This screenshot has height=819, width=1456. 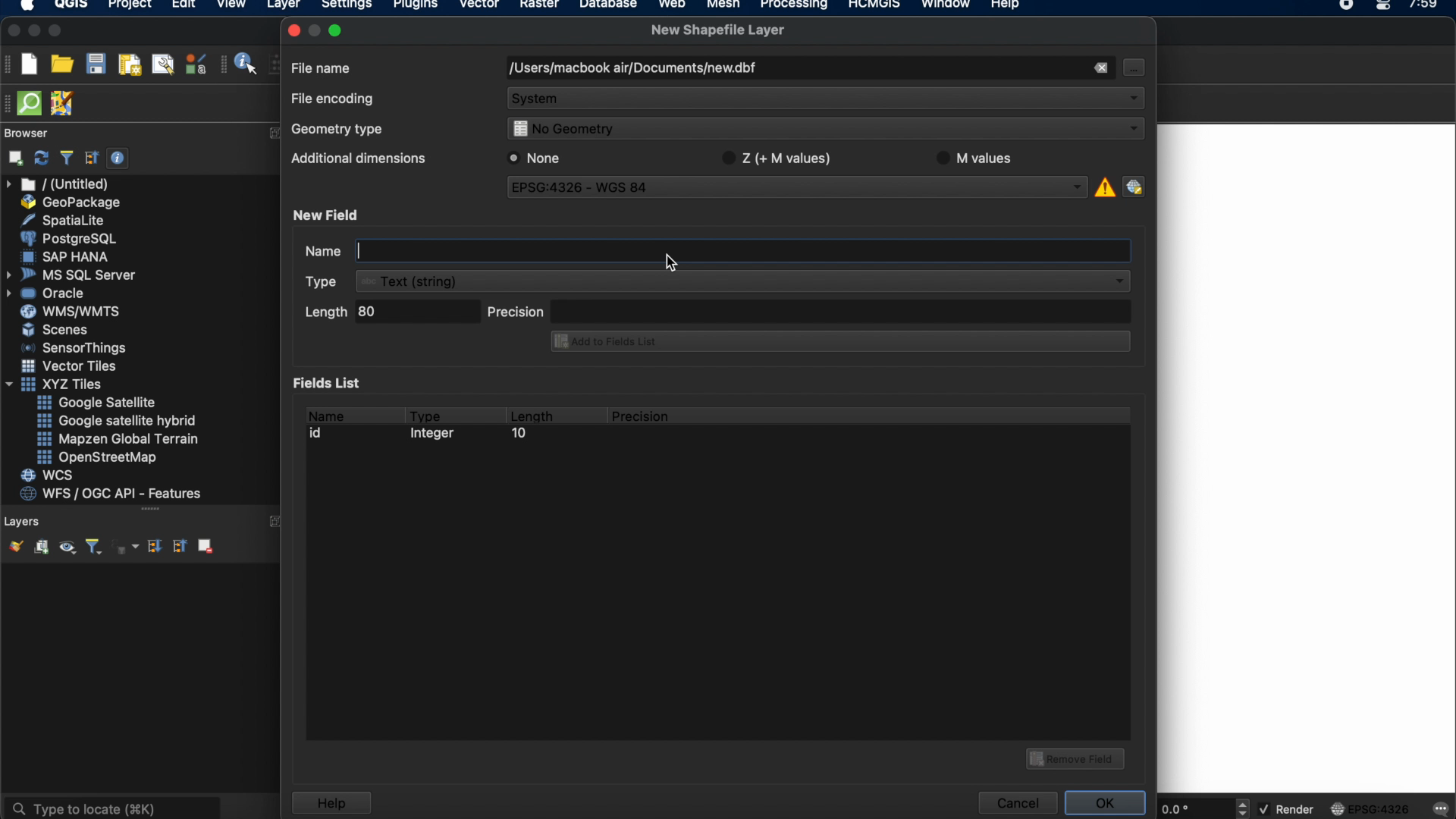 What do you see at coordinates (1078, 757) in the screenshot?
I see `remove field` at bounding box center [1078, 757].